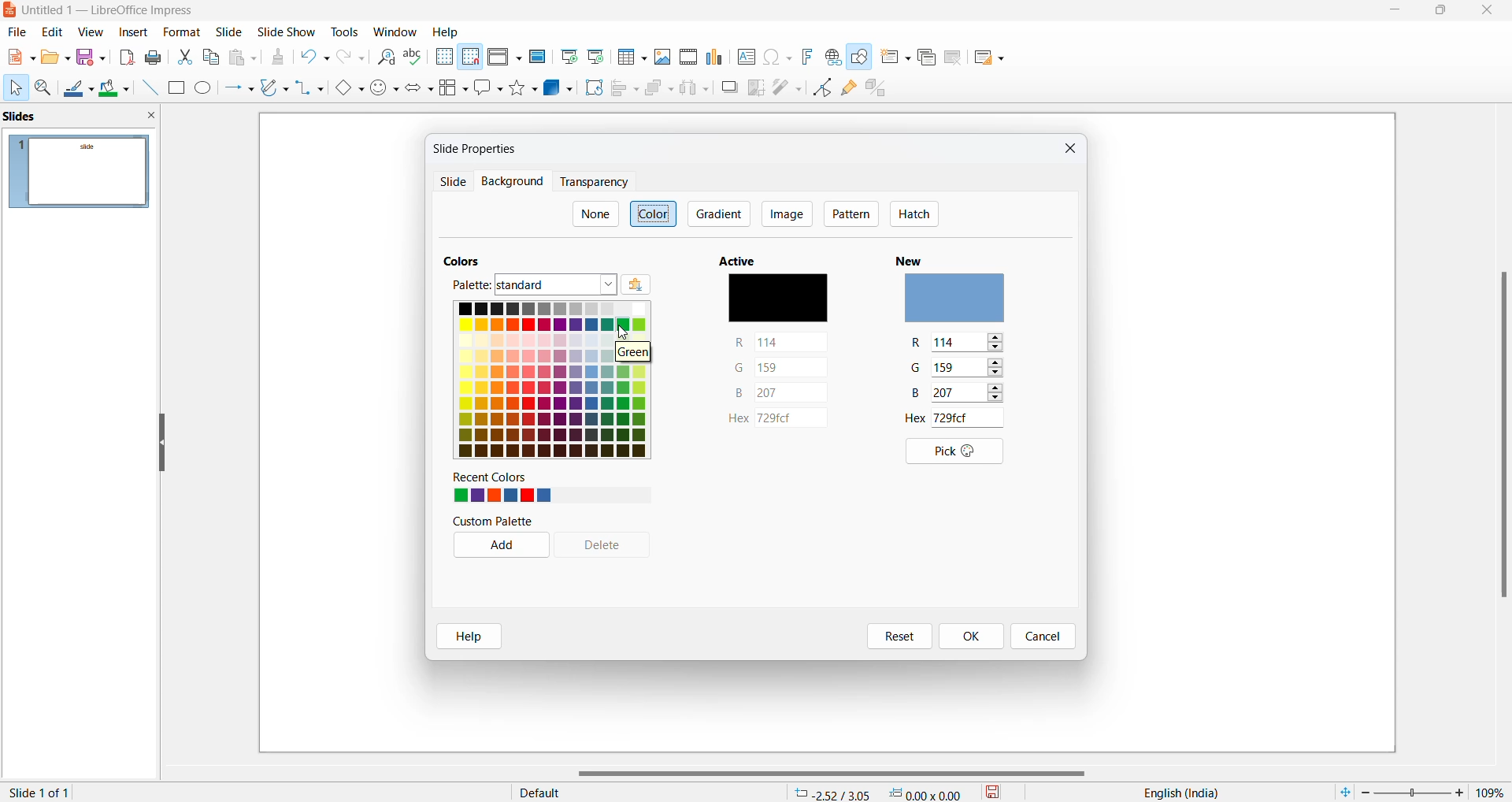 The width and height of the screenshot is (1512, 802). What do you see at coordinates (481, 148) in the screenshot?
I see `dialog box heading` at bounding box center [481, 148].